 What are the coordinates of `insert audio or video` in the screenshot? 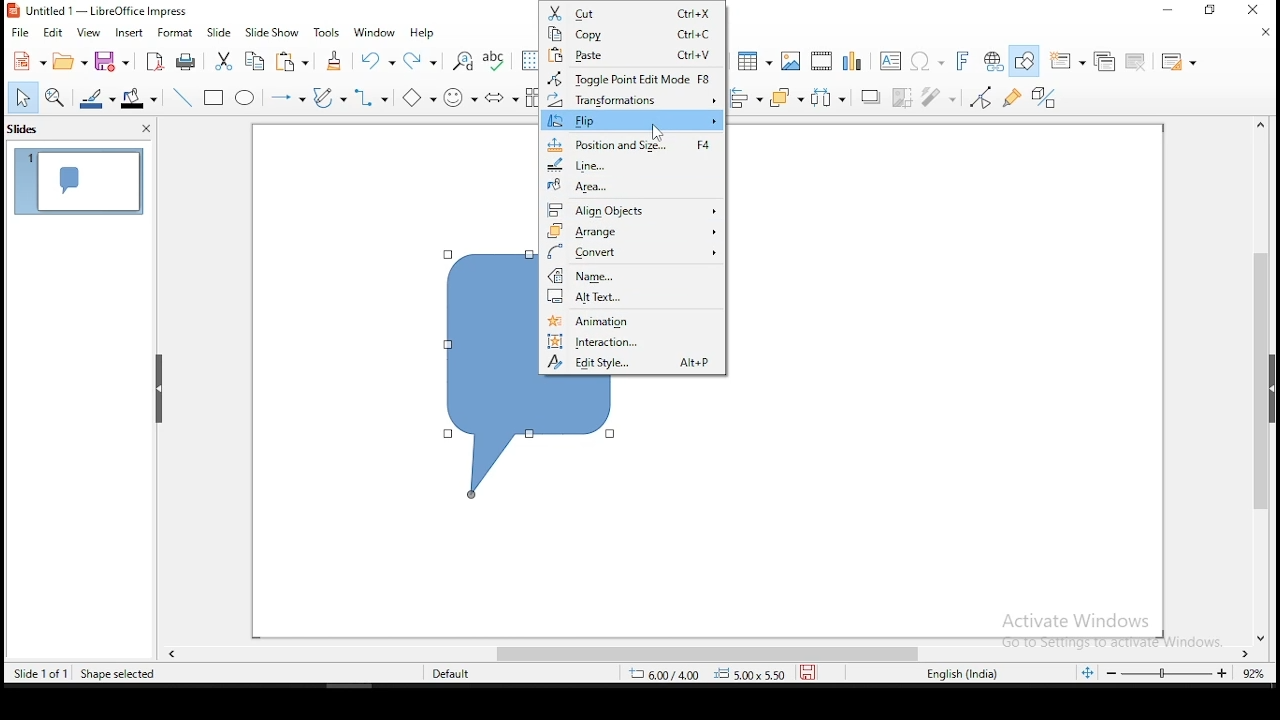 It's located at (819, 61).